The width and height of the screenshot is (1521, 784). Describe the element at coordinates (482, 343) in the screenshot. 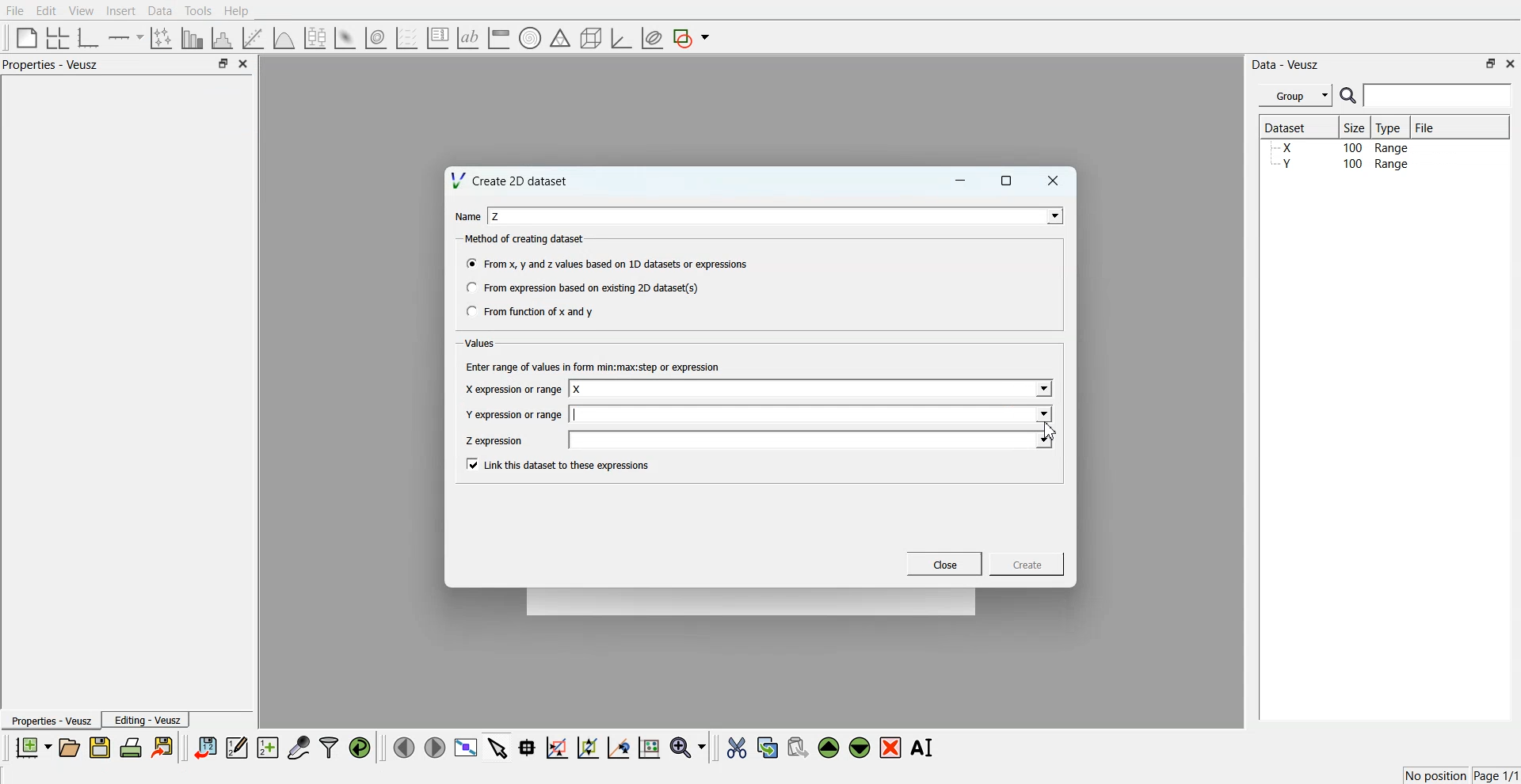

I see `Value` at that location.